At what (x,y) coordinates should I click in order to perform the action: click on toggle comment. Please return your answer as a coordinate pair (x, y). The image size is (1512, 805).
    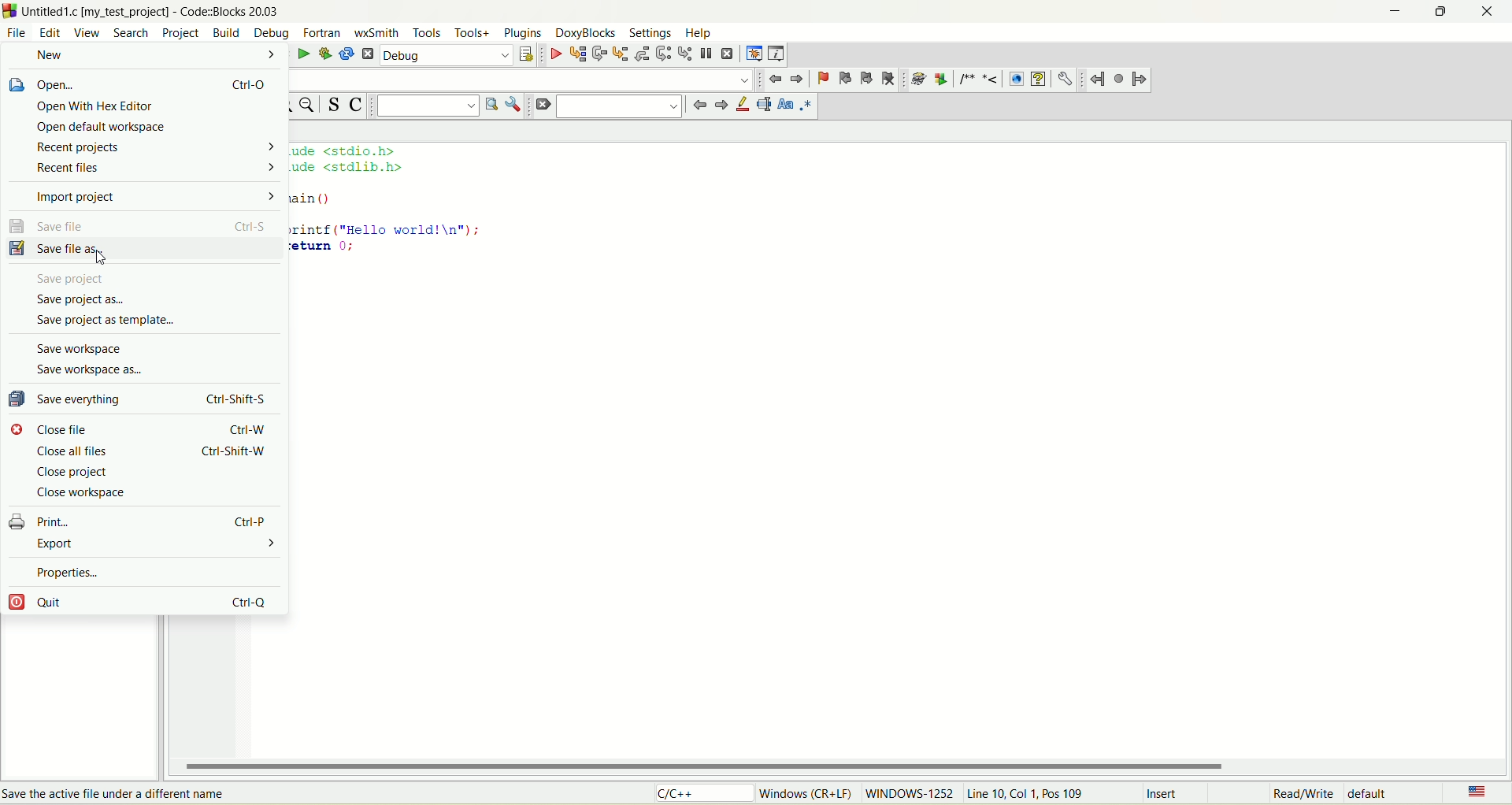
    Looking at the image, I should click on (356, 106).